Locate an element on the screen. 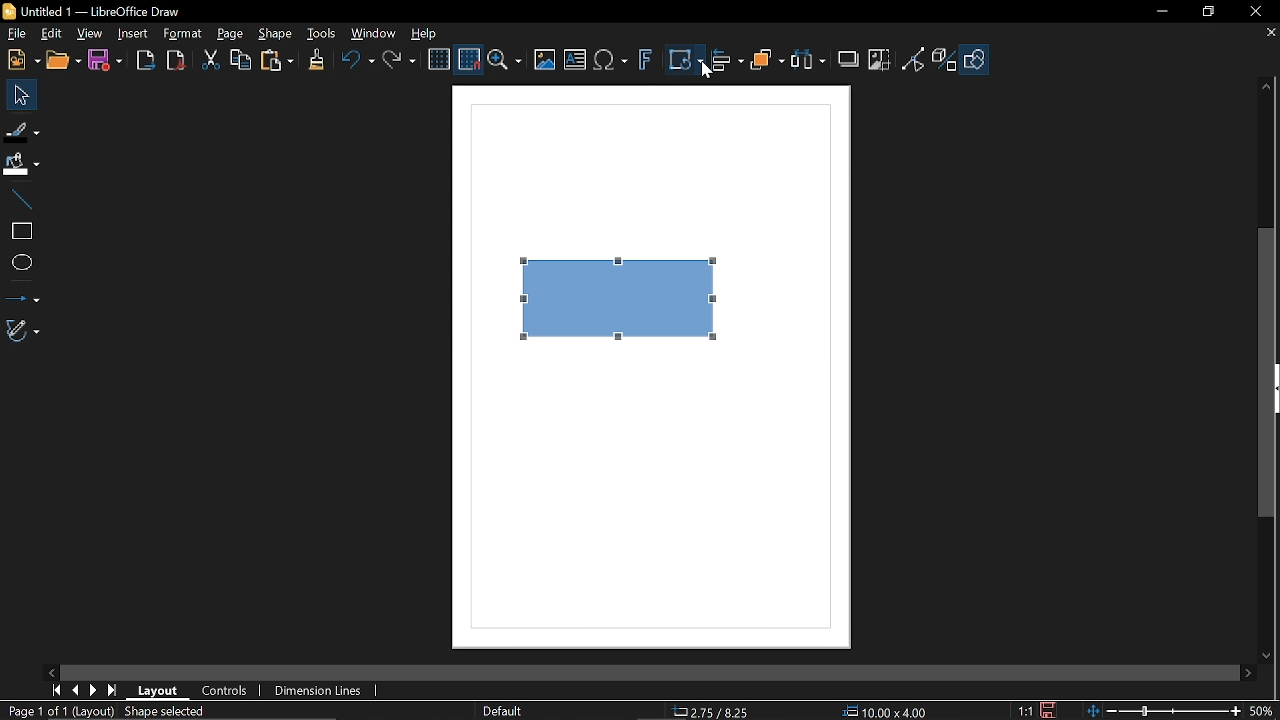 This screenshot has width=1280, height=720. Page 1 of 1 (Layout) is located at coordinates (60, 712).